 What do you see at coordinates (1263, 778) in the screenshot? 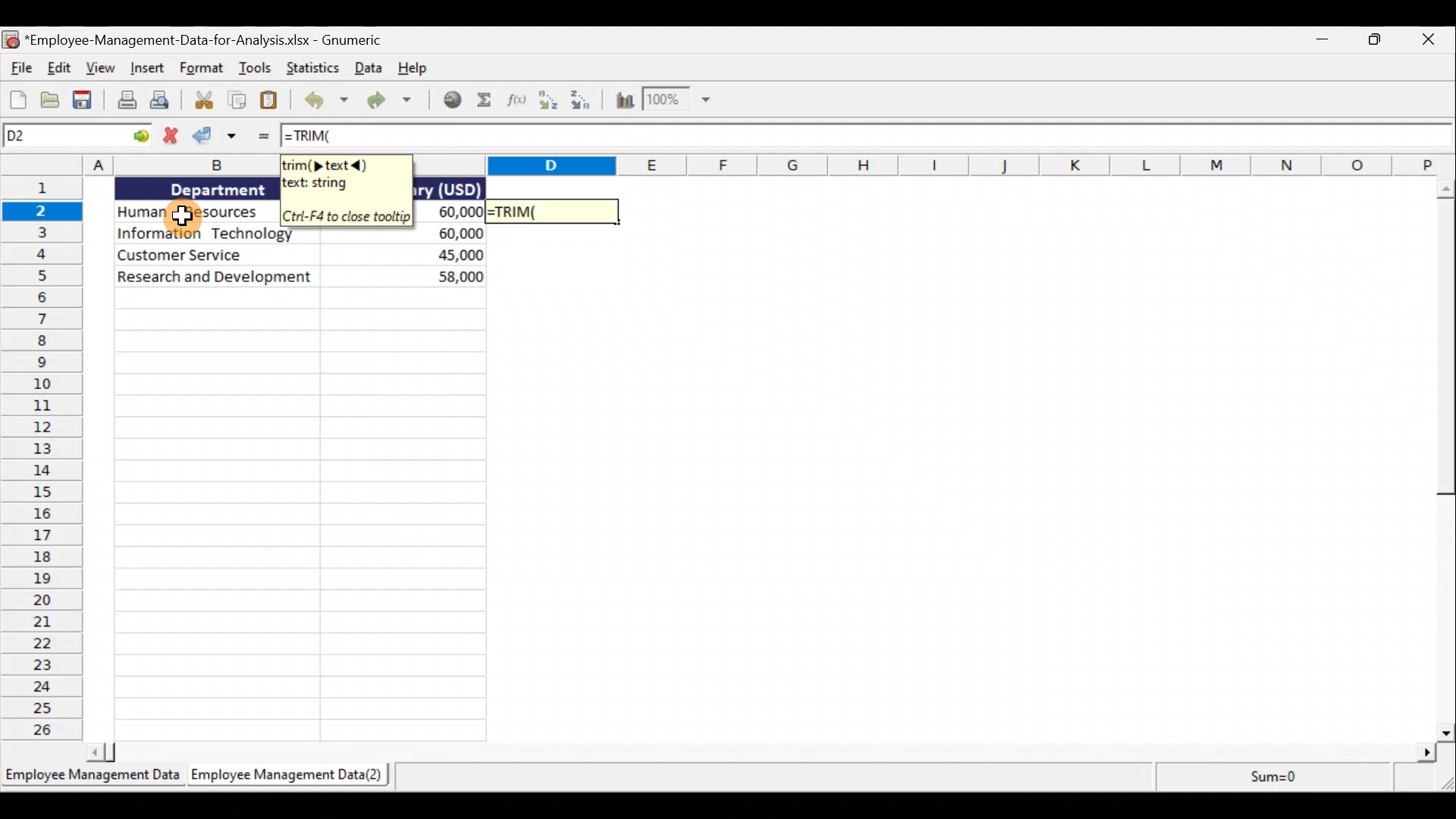
I see `sum=0` at bounding box center [1263, 778].